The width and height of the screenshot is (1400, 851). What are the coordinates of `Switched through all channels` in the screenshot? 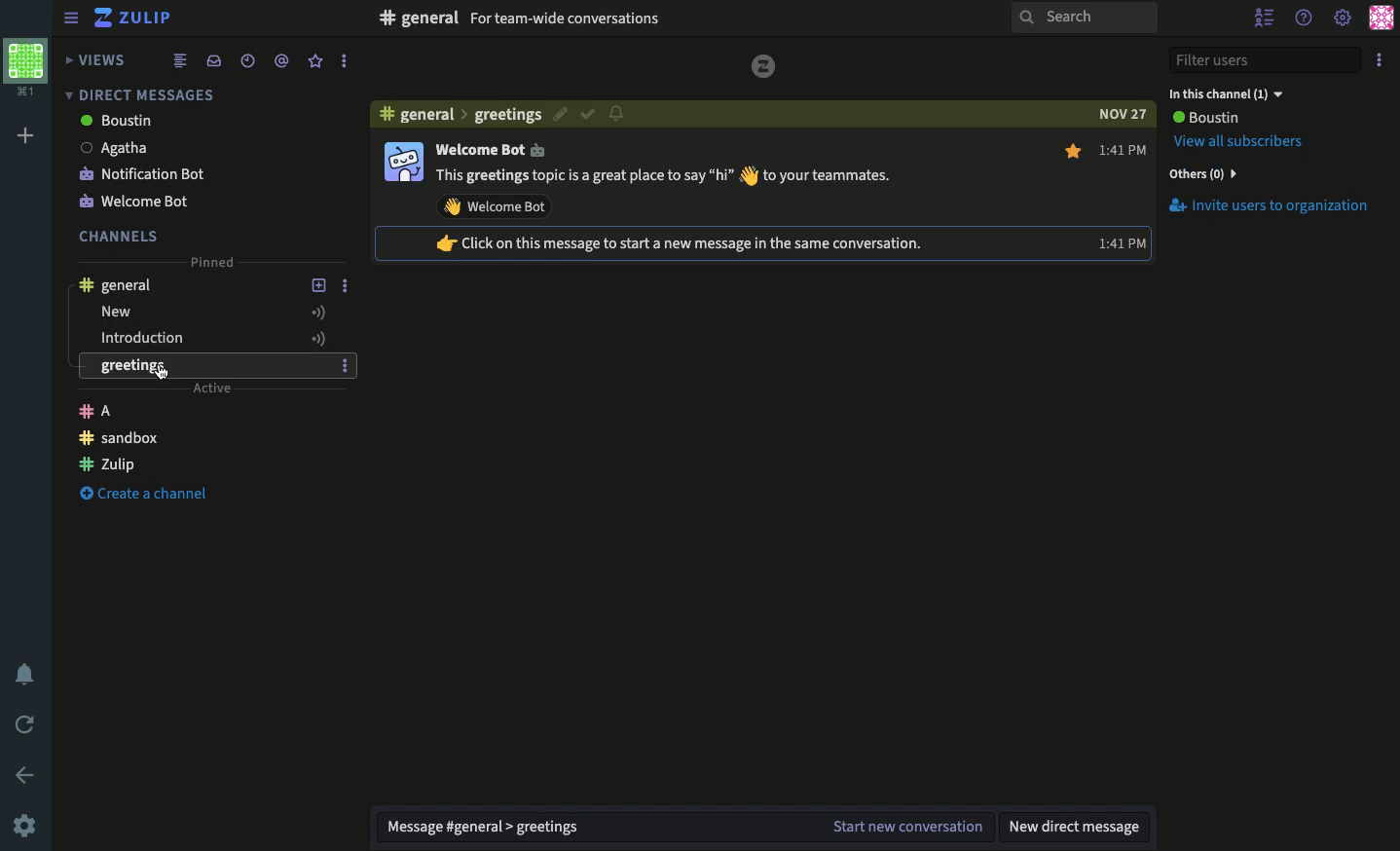 It's located at (163, 370).